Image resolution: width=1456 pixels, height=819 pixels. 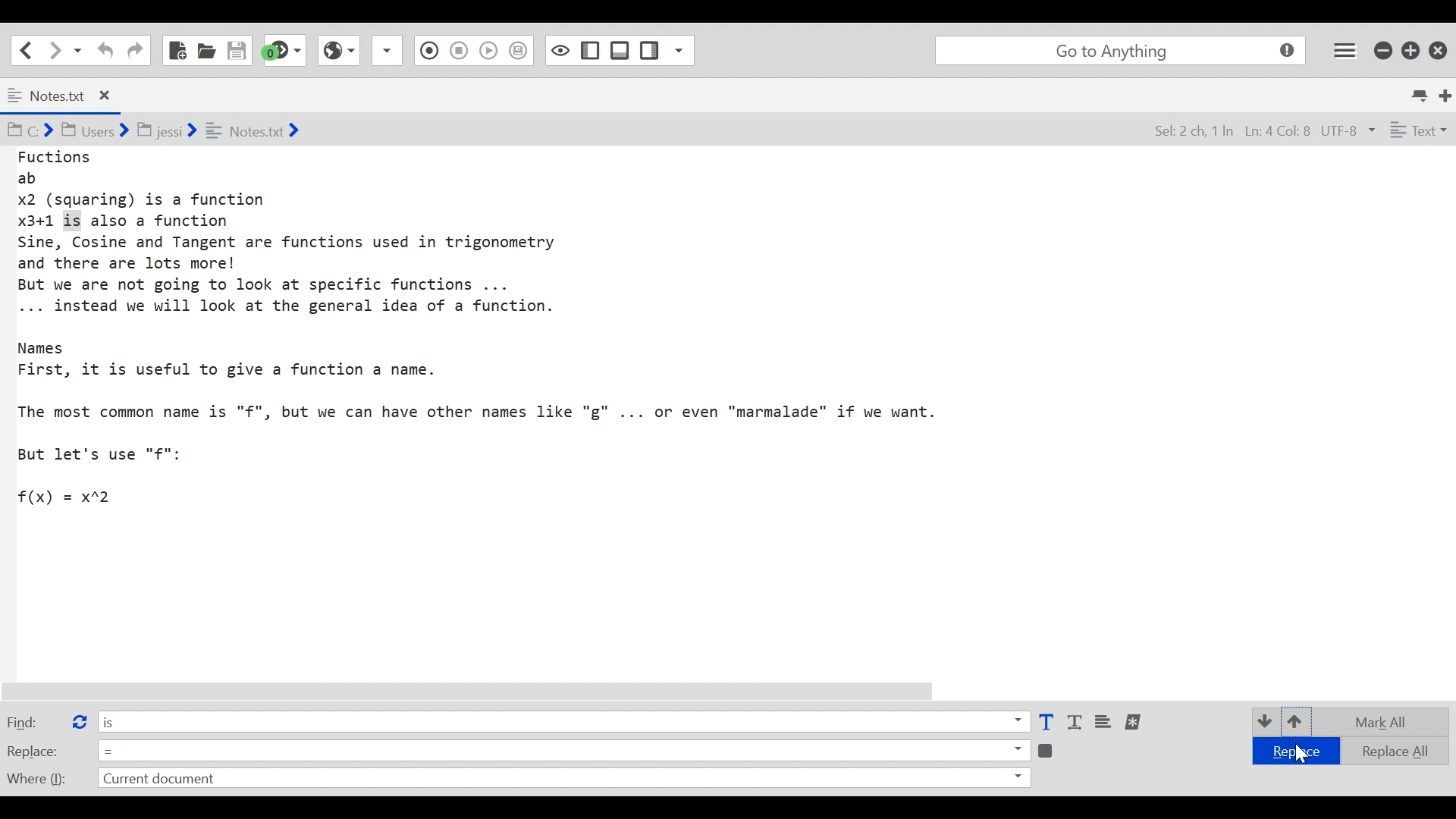 I want to click on Save File, so click(x=238, y=50).